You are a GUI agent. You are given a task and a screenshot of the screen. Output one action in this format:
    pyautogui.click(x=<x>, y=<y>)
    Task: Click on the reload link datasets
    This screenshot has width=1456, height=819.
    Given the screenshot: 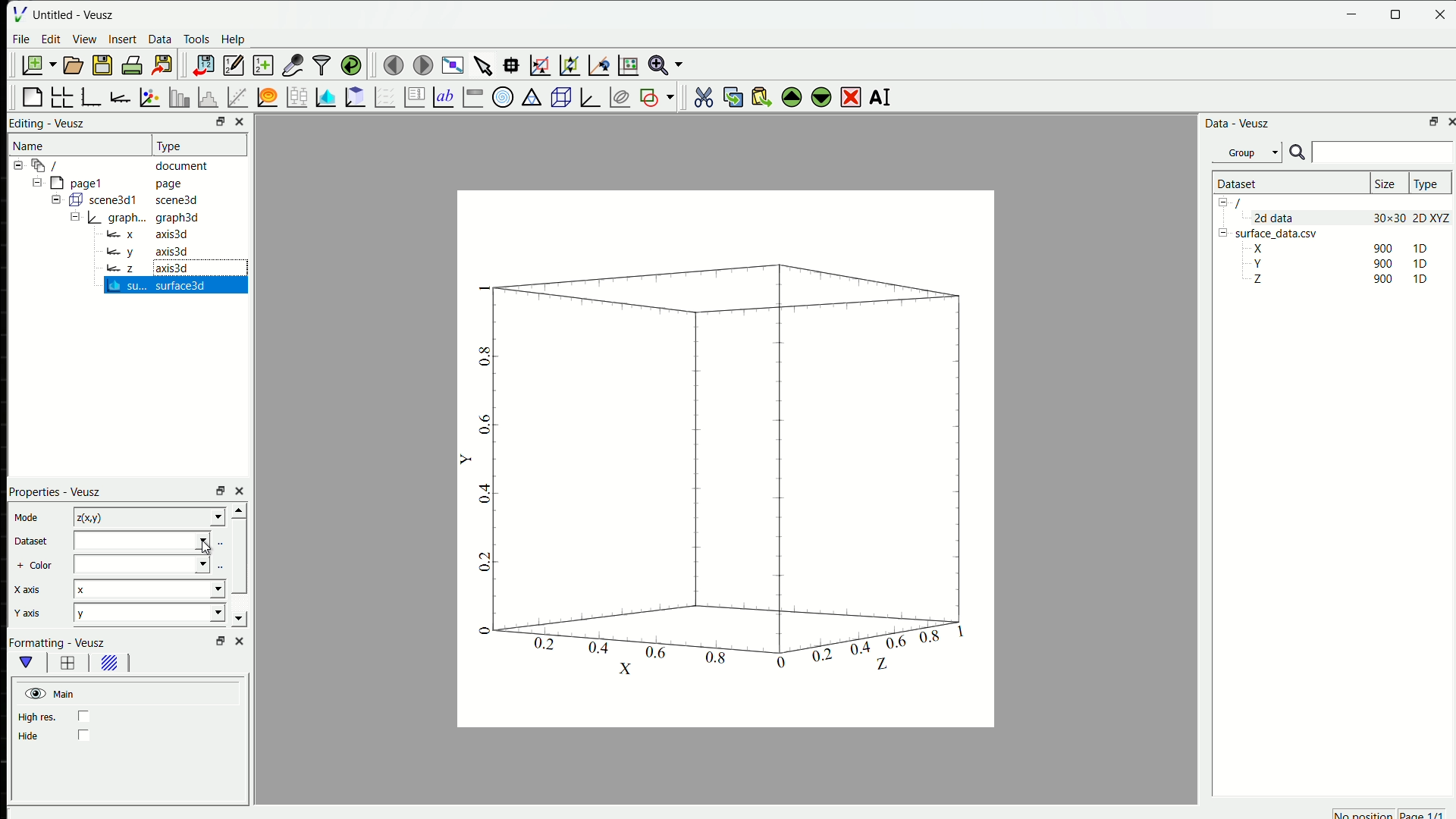 What is the action you would take?
    pyautogui.click(x=352, y=65)
    